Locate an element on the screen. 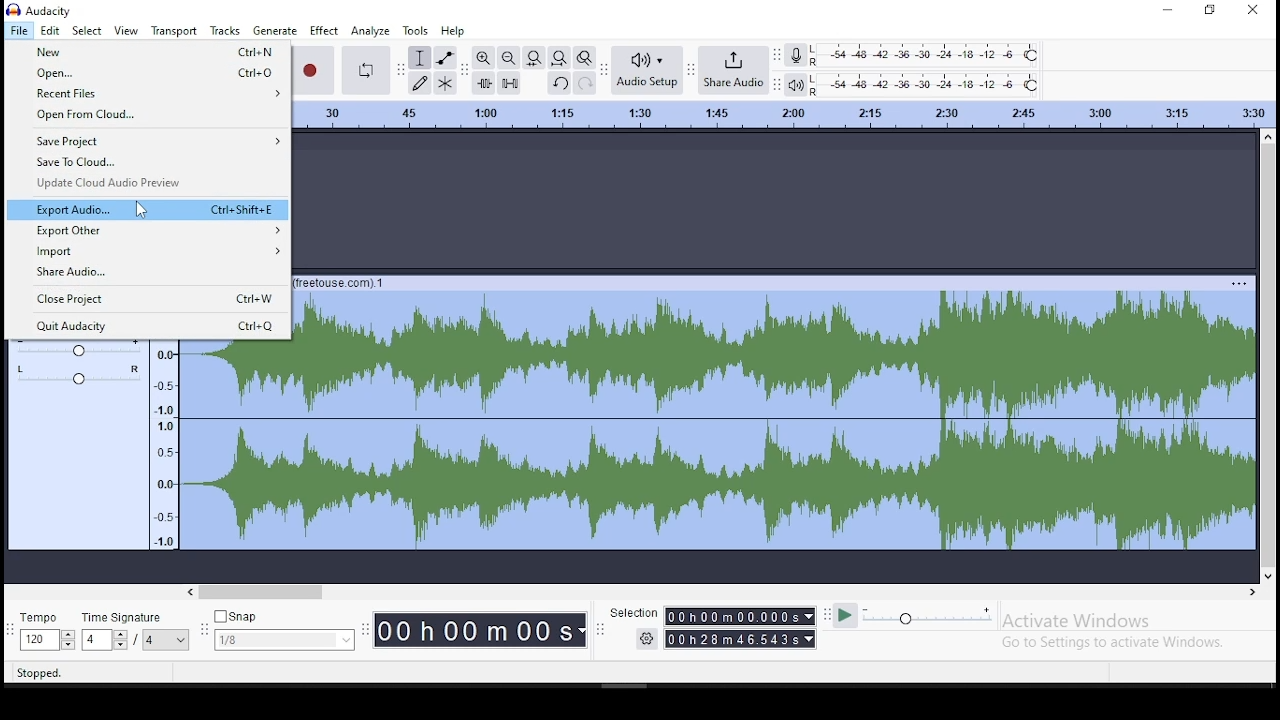 The image size is (1280, 720). tracks is located at coordinates (226, 30).